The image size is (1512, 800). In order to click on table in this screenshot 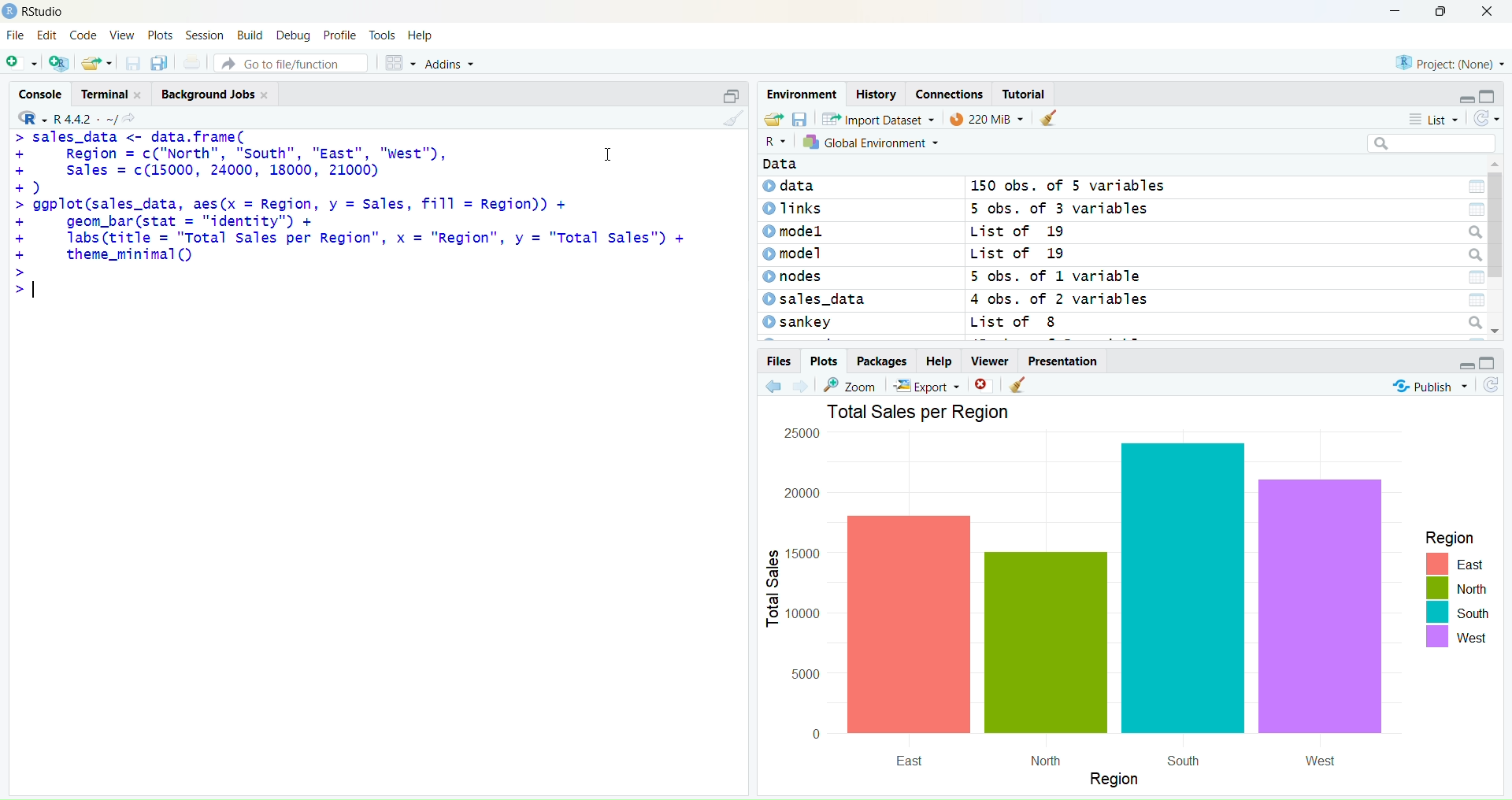, I will do `click(1466, 186)`.